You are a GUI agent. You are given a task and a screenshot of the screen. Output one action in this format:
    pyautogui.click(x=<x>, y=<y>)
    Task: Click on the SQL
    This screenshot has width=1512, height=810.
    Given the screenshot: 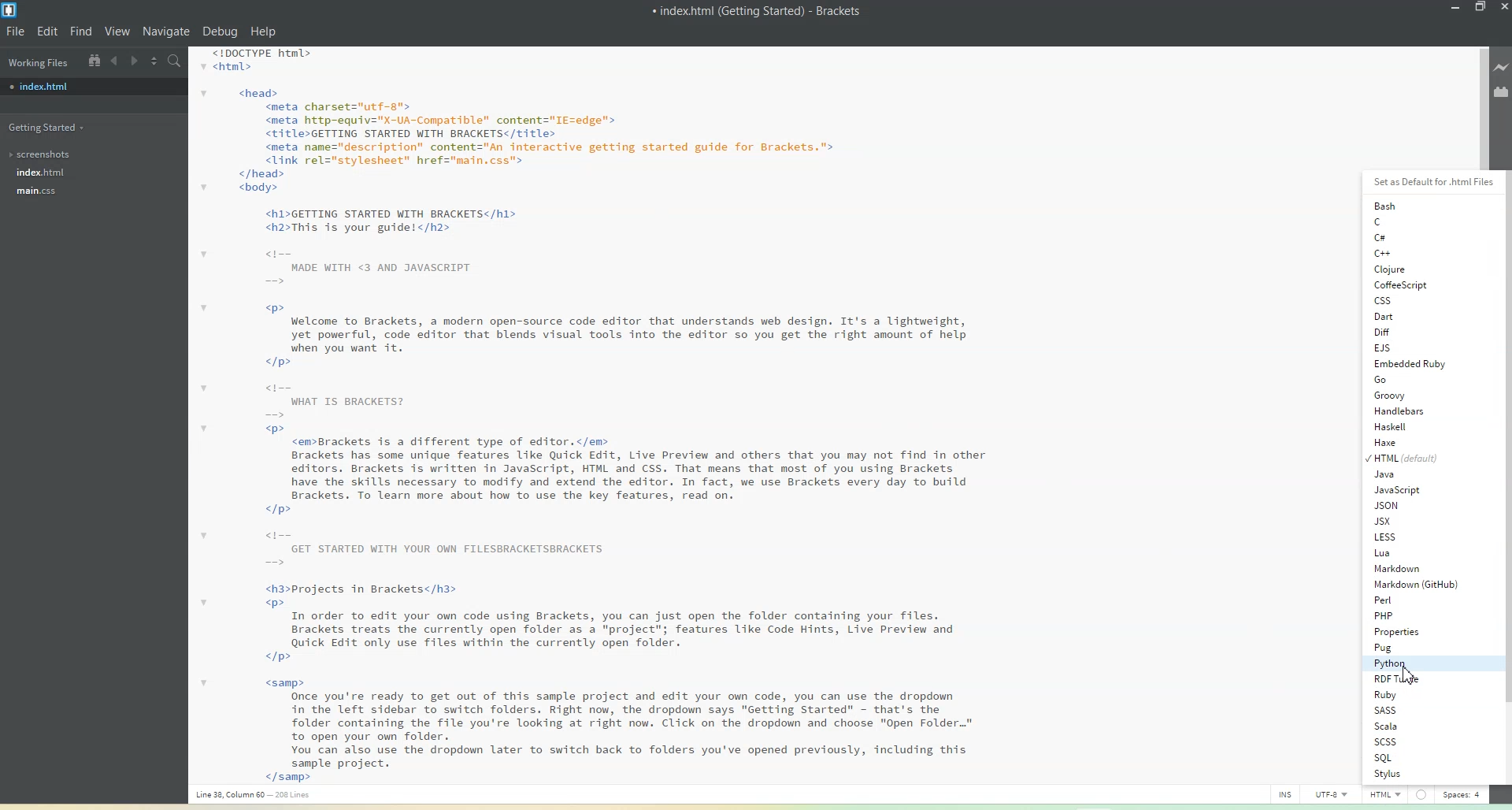 What is the action you would take?
    pyautogui.click(x=1416, y=757)
    